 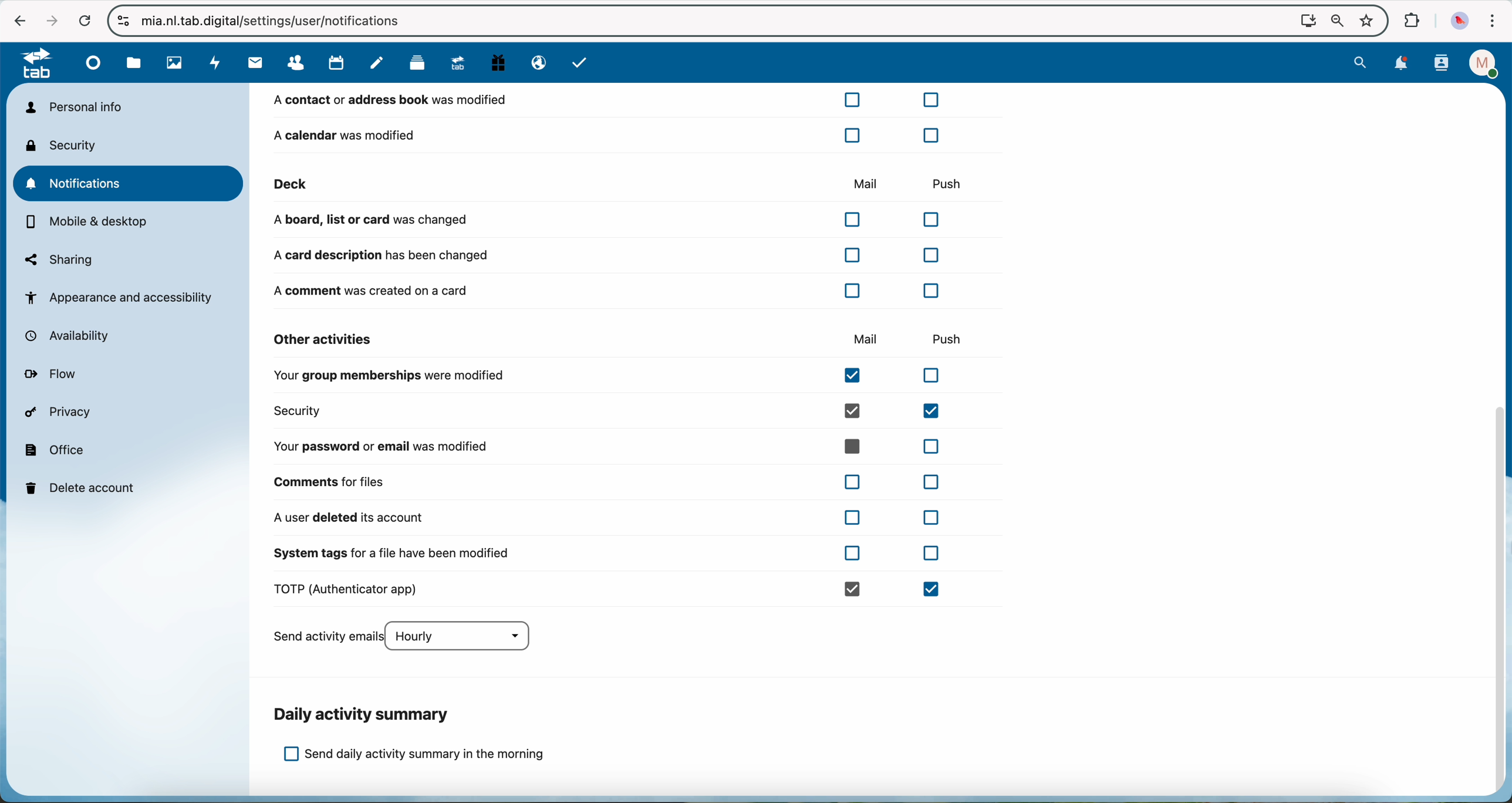 What do you see at coordinates (1441, 64) in the screenshot?
I see `contacts` at bounding box center [1441, 64].